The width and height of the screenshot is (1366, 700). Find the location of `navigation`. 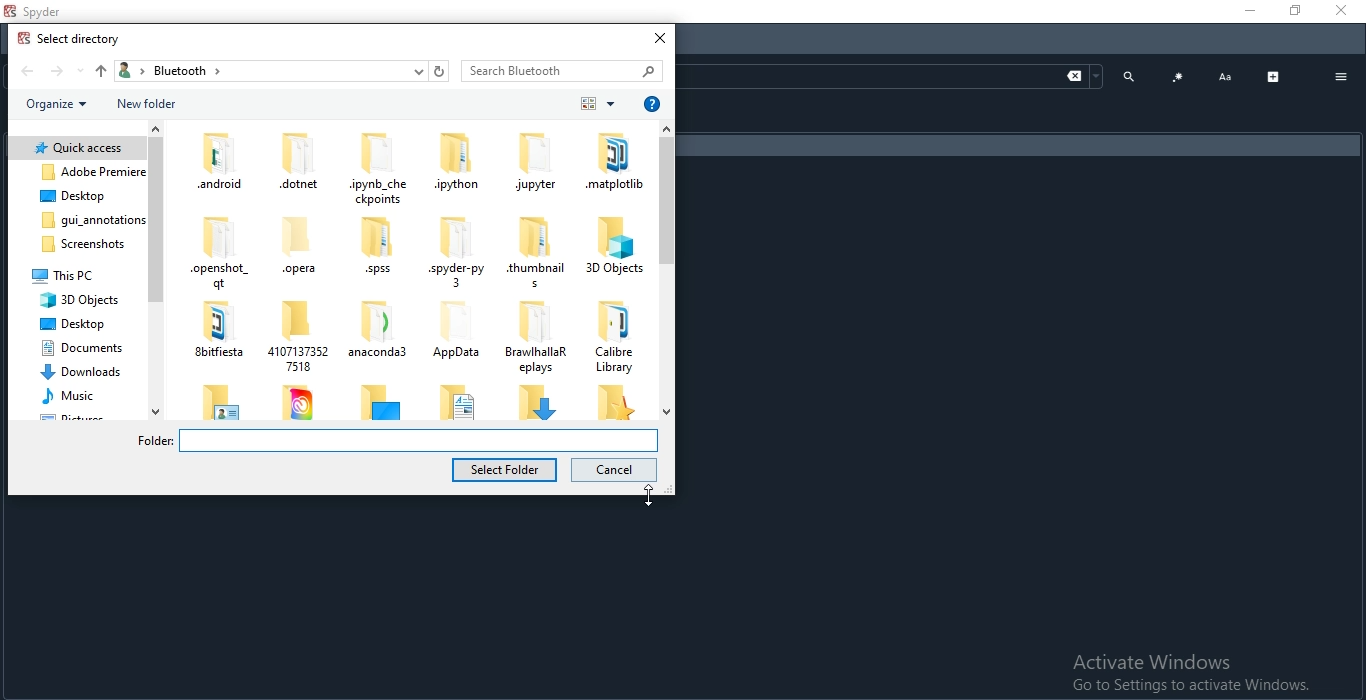

navigation is located at coordinates (156, 268).